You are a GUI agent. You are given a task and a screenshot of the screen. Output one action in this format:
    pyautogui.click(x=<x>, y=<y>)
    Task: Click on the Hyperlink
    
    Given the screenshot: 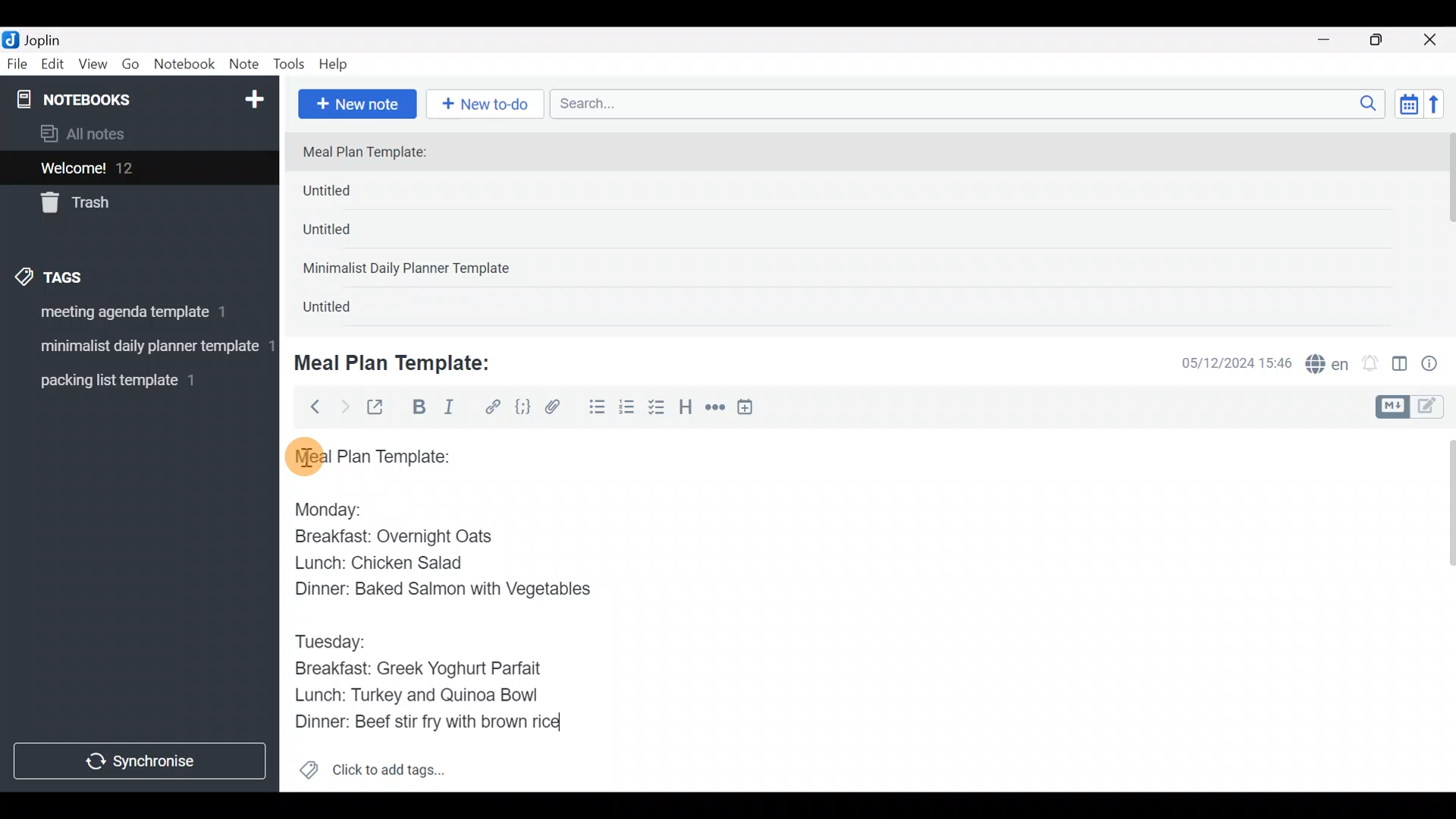 What is the action you would take?
    pyautogui.click(x=493, y=407)
    